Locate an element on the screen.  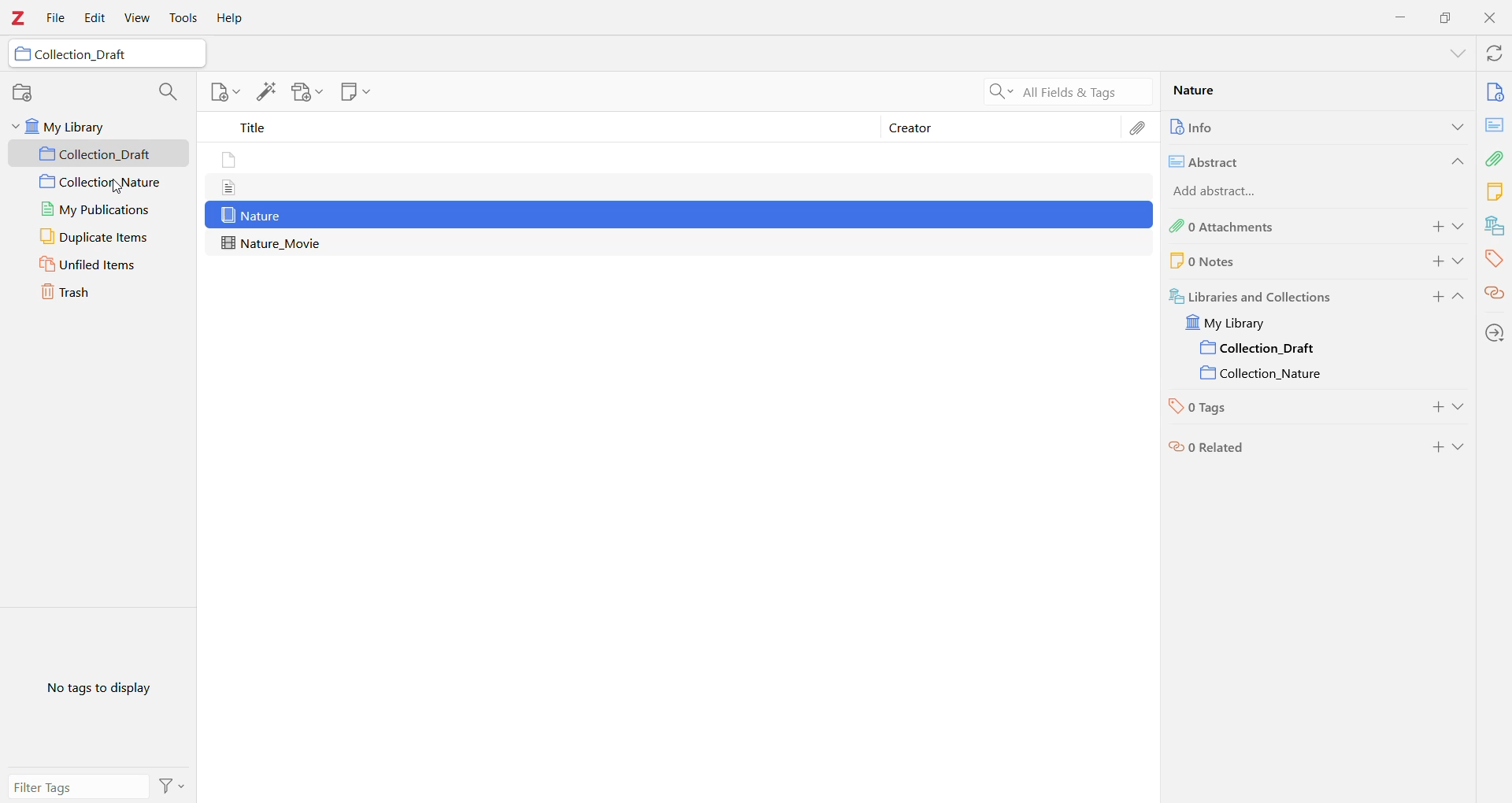
File is located at coordinates (57, 19).